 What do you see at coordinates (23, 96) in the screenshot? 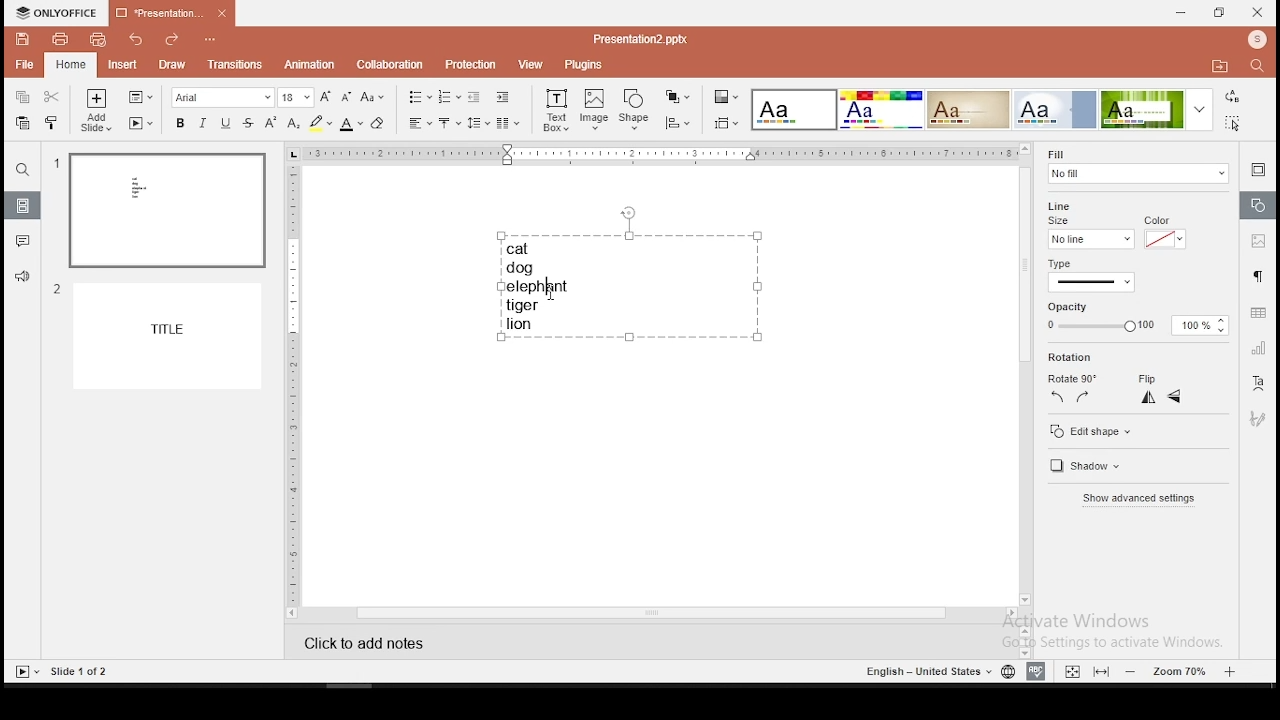
I see `copy` at bounding box center [23, 96].